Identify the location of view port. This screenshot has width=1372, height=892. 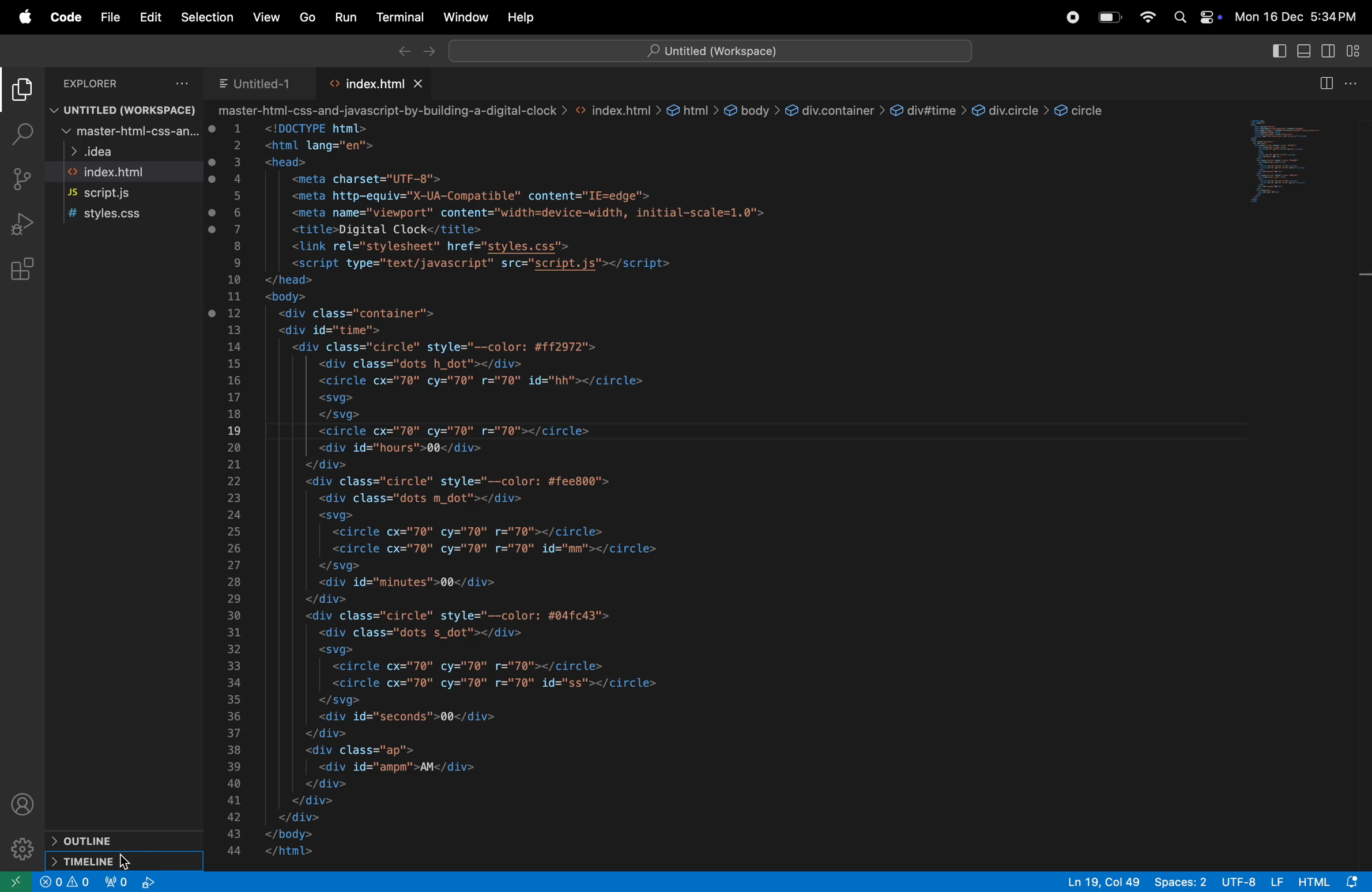
(131, 882).